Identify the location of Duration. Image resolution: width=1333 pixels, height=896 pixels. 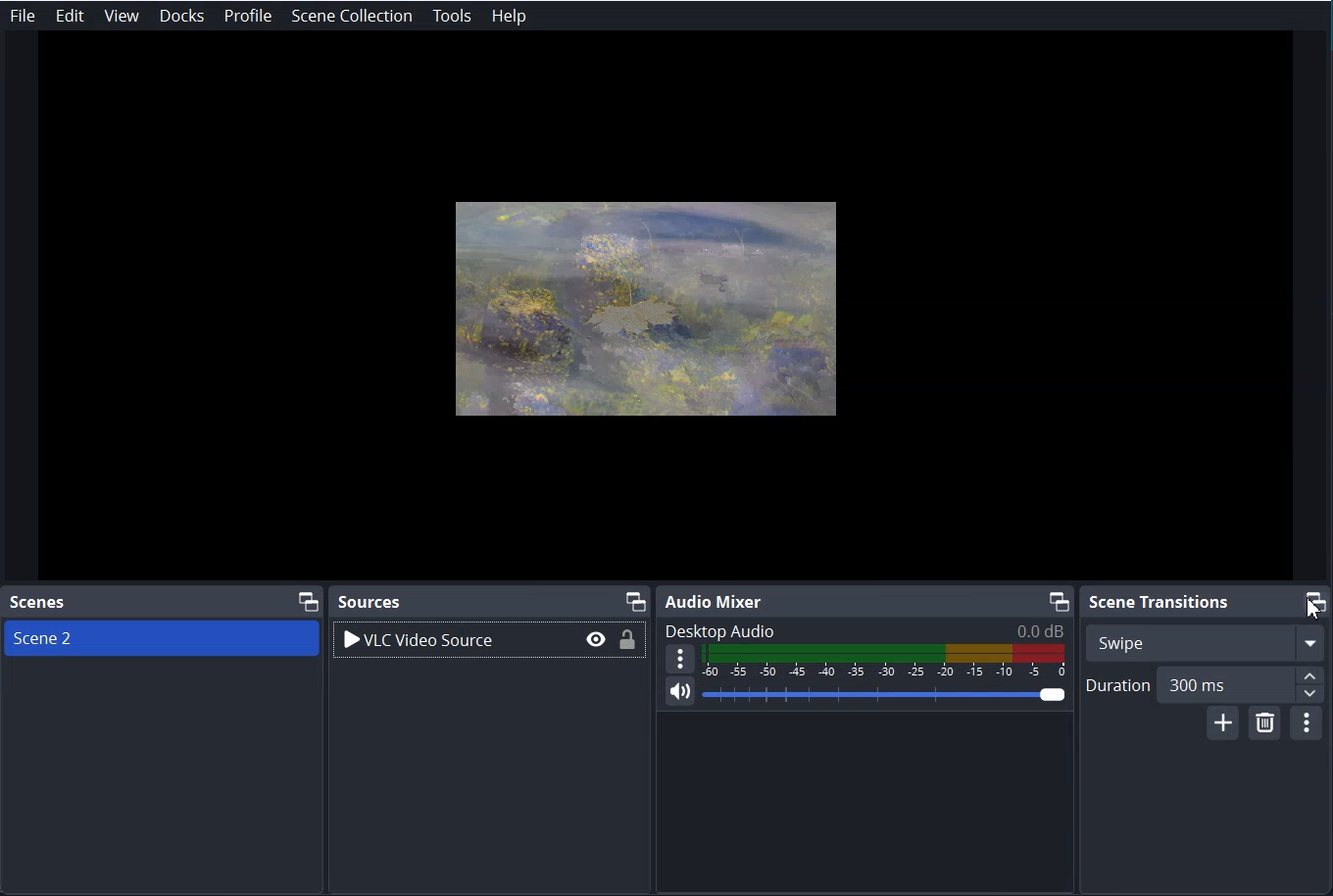
(1204, 688).